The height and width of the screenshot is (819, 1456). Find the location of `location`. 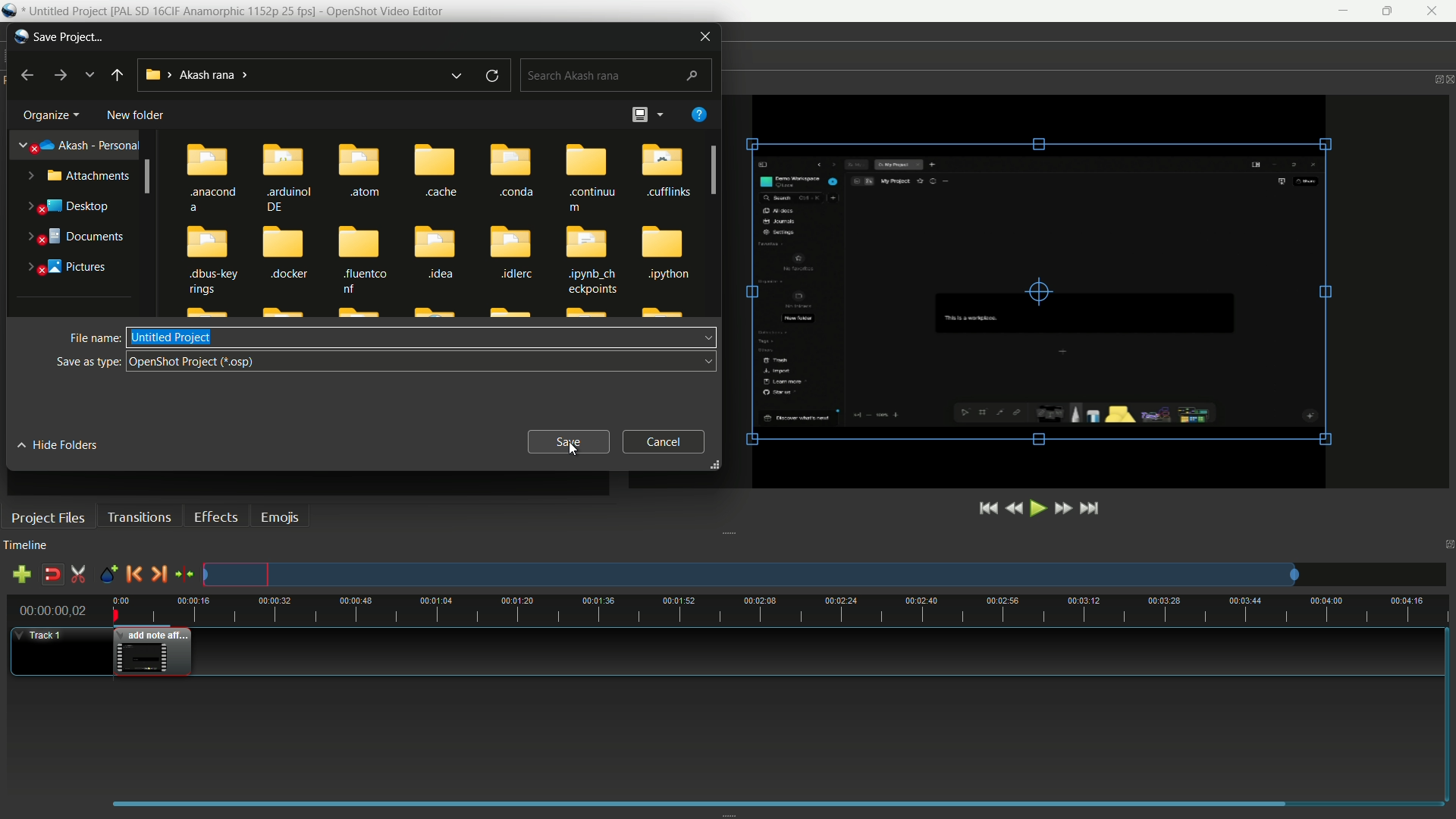

location is located at coordinates (196, 75).